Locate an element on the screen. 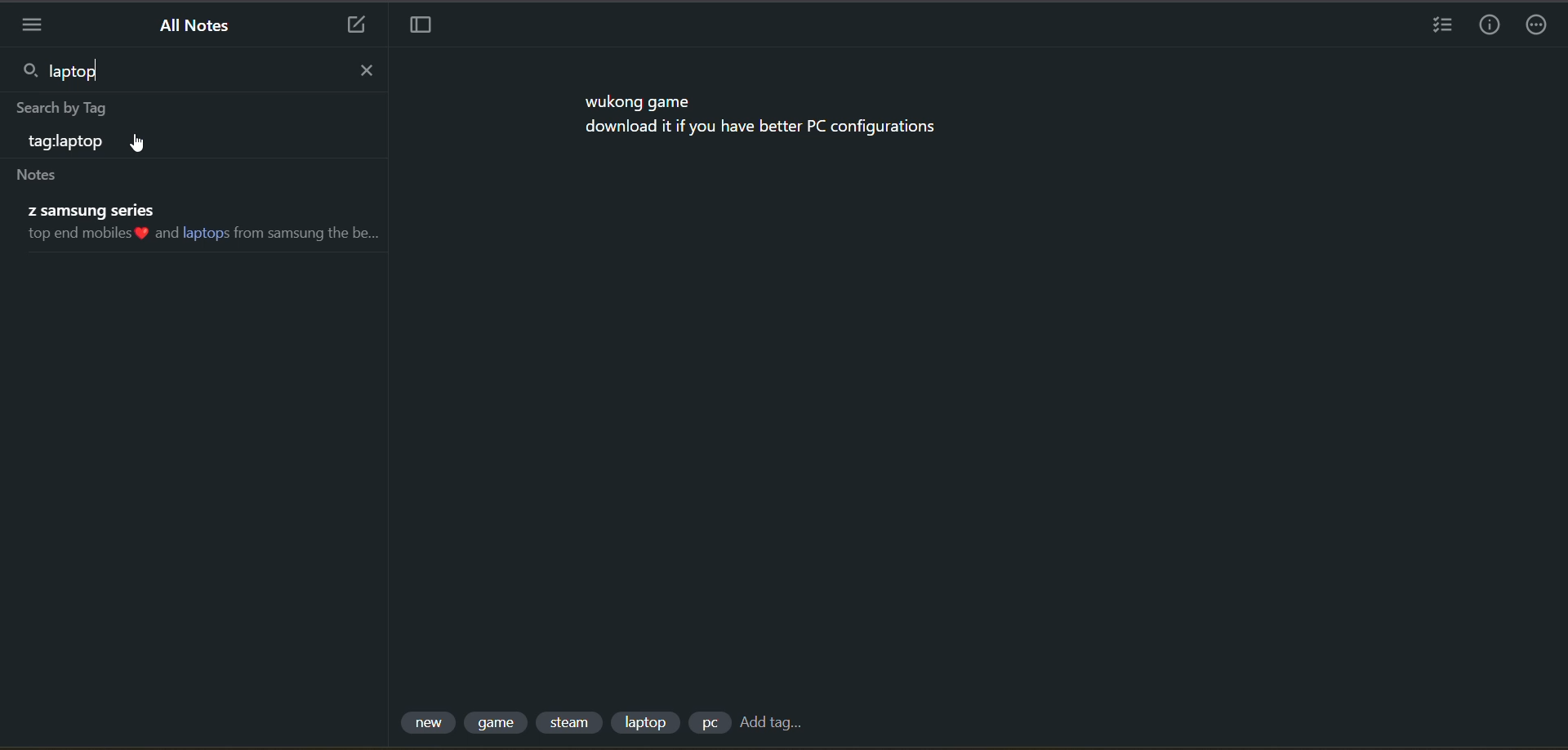 The width and height of the screenshot is (1568, 750). cursor is located at coordinates (140, 141).